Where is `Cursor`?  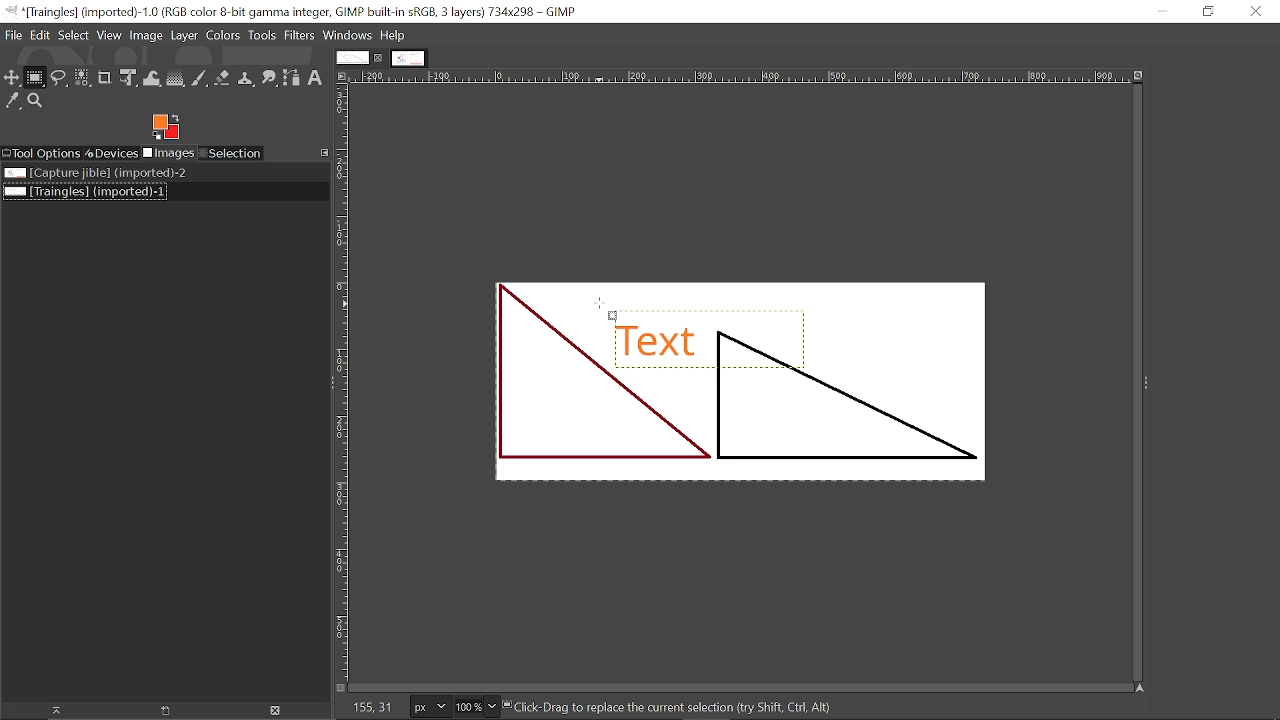
Cursor is located at coordinates (607, 315).